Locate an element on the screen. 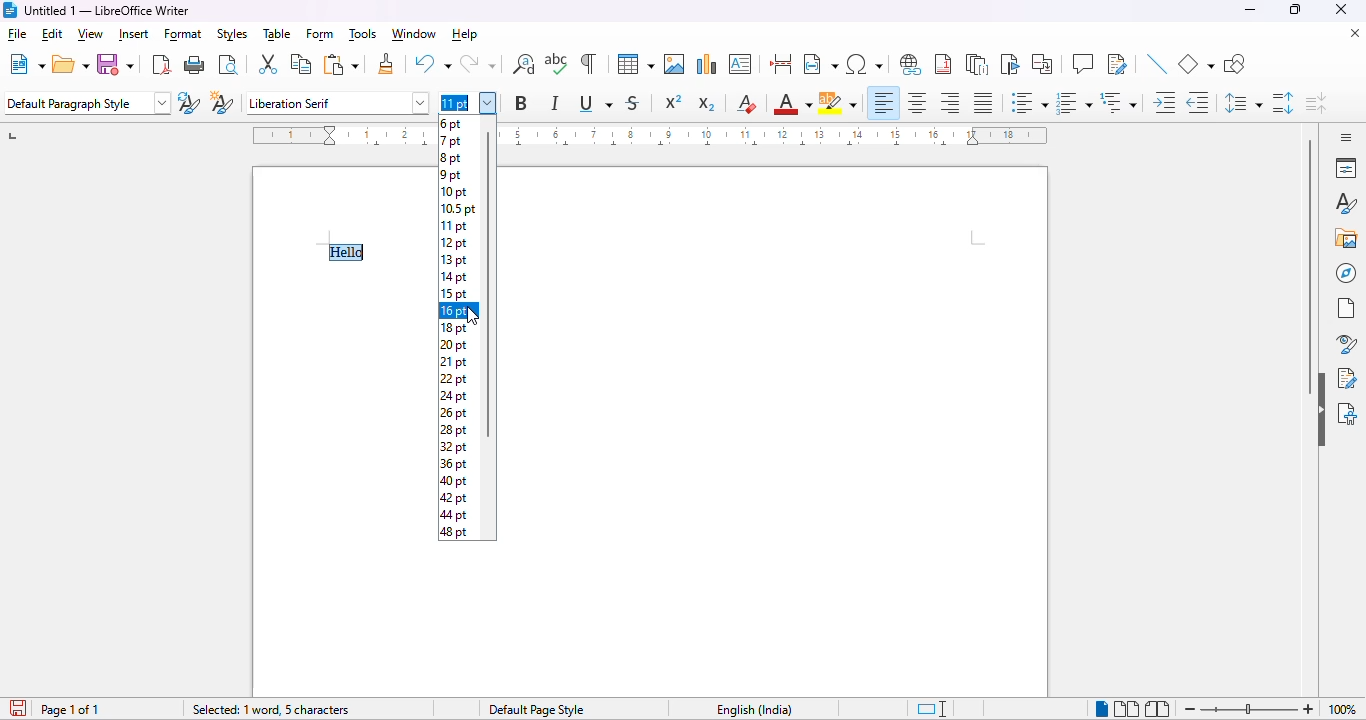 The image size is (1366, 720). basic shapes is located at coordinates (1196, 65).